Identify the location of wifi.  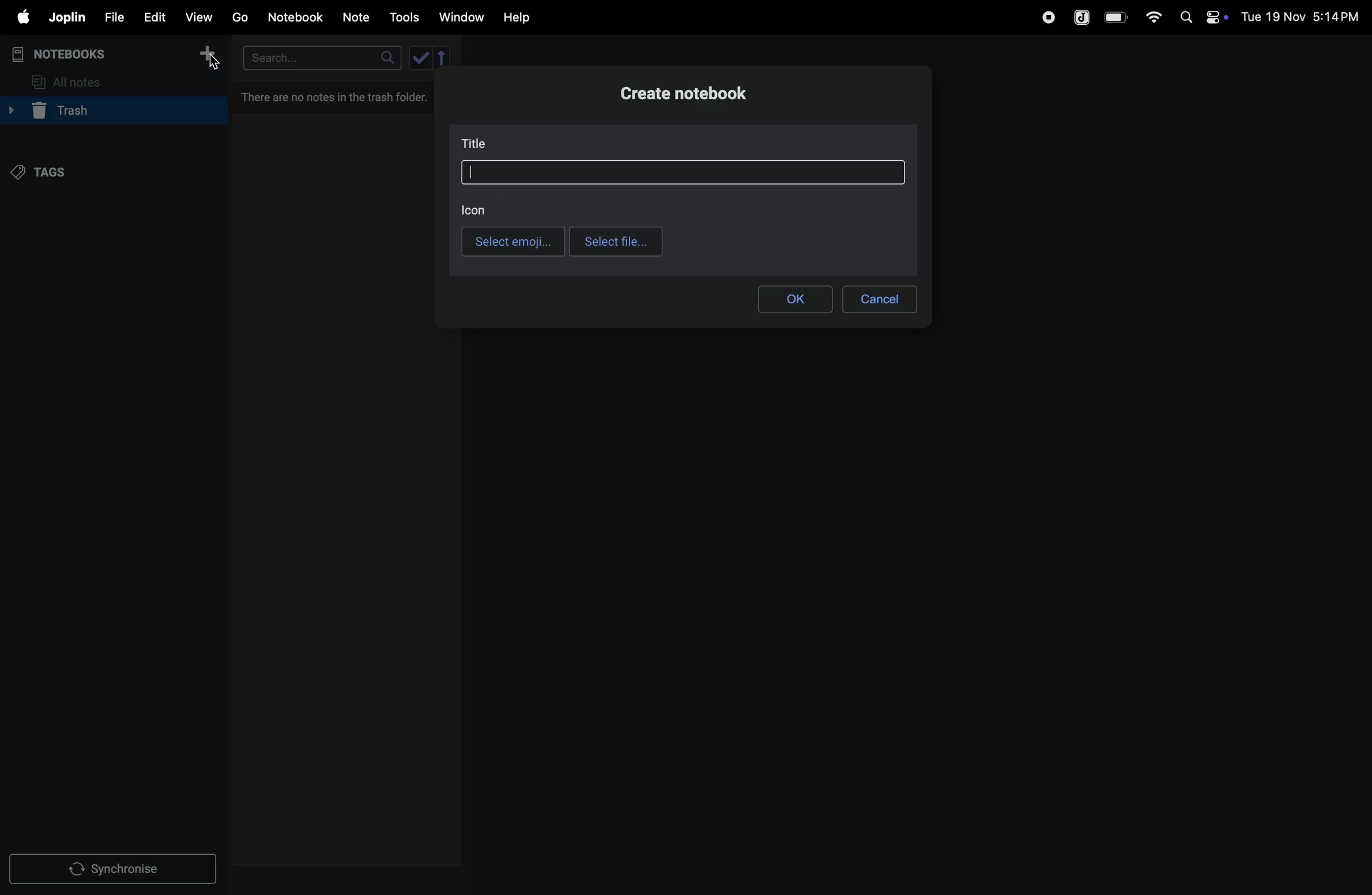
(1150, 17).